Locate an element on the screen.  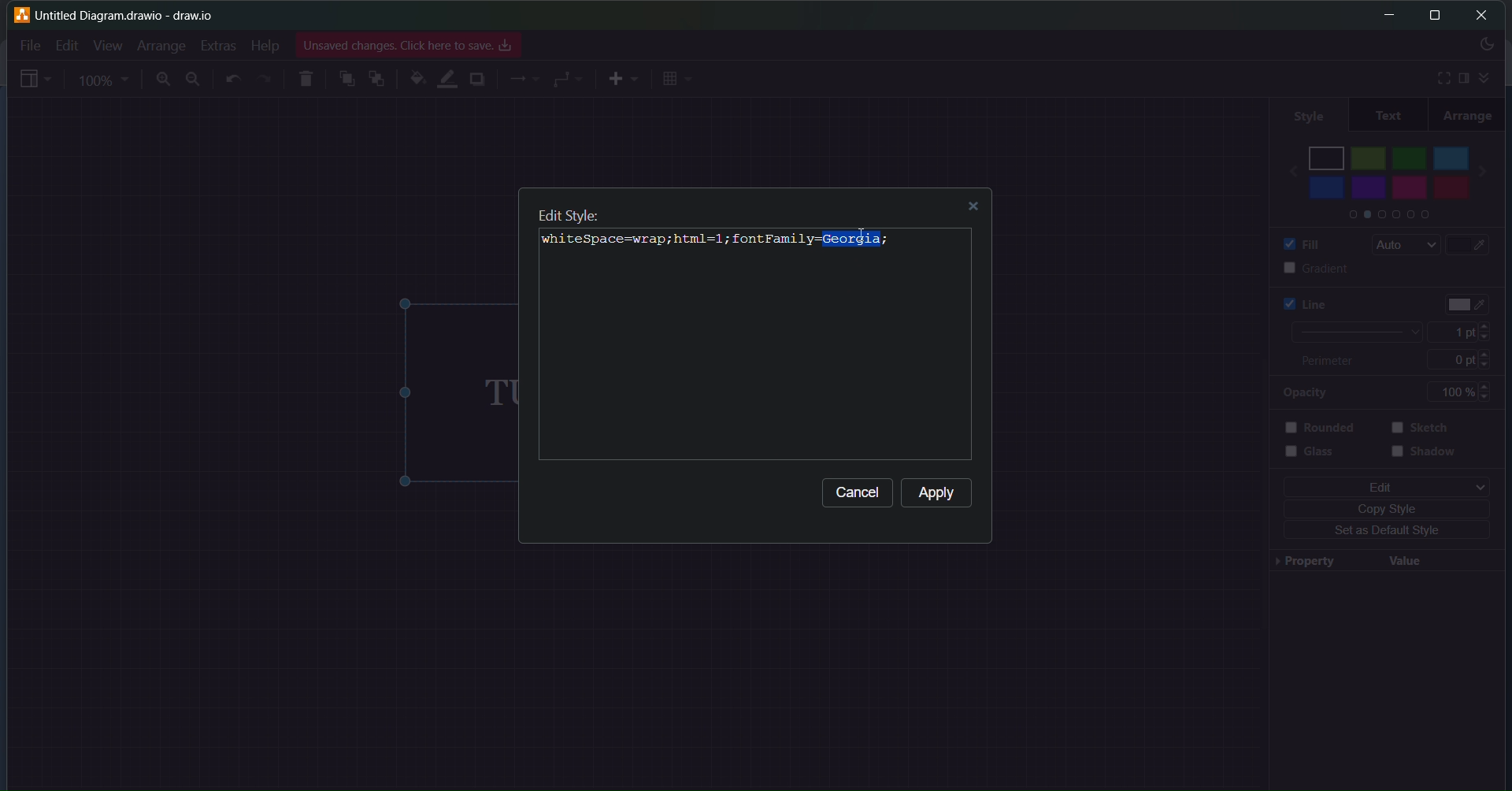
minimize is located at coordinates (1384, 15).